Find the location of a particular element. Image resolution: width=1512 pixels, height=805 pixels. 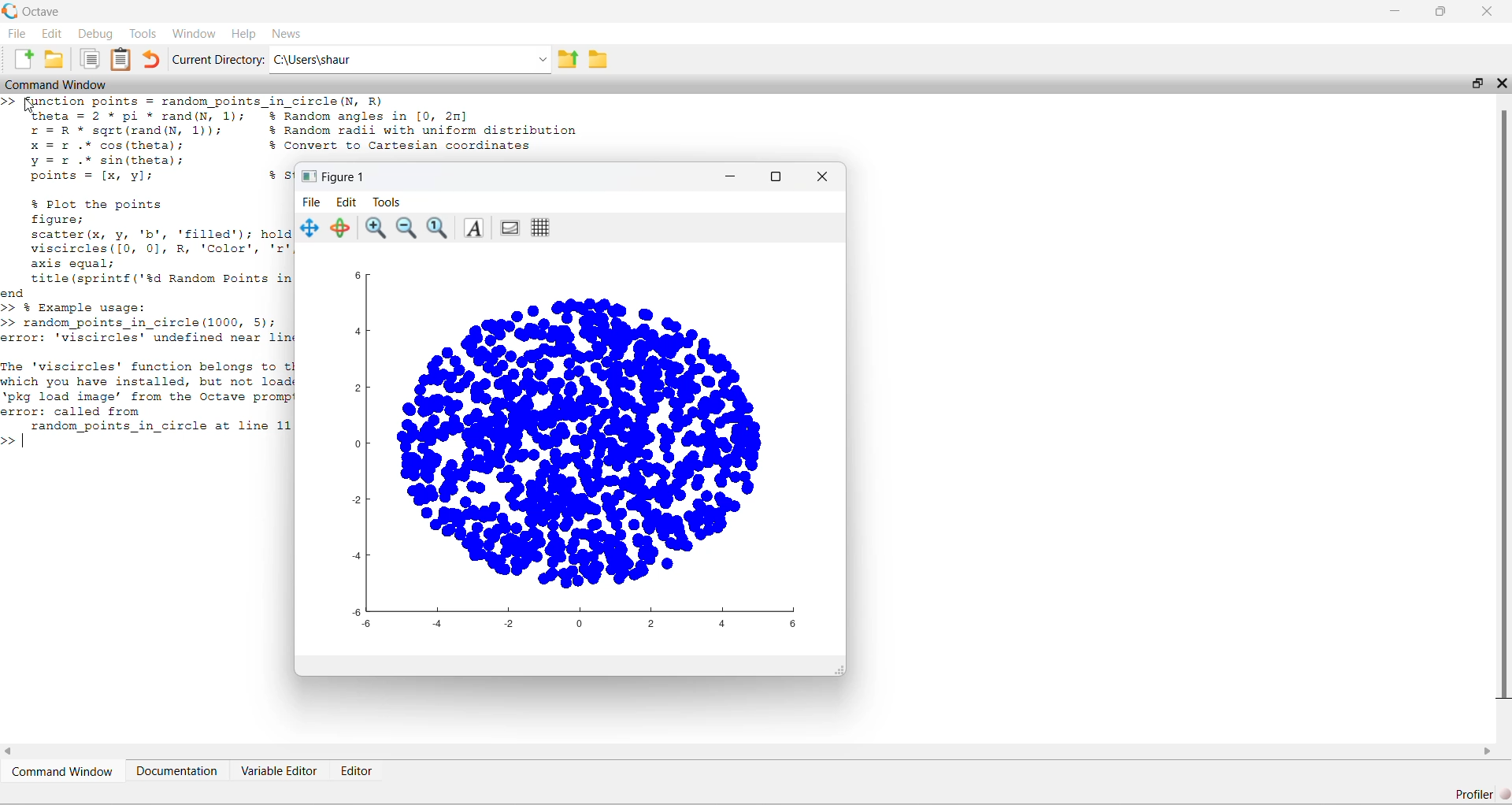

Paste is located at coordinates (120, 60).